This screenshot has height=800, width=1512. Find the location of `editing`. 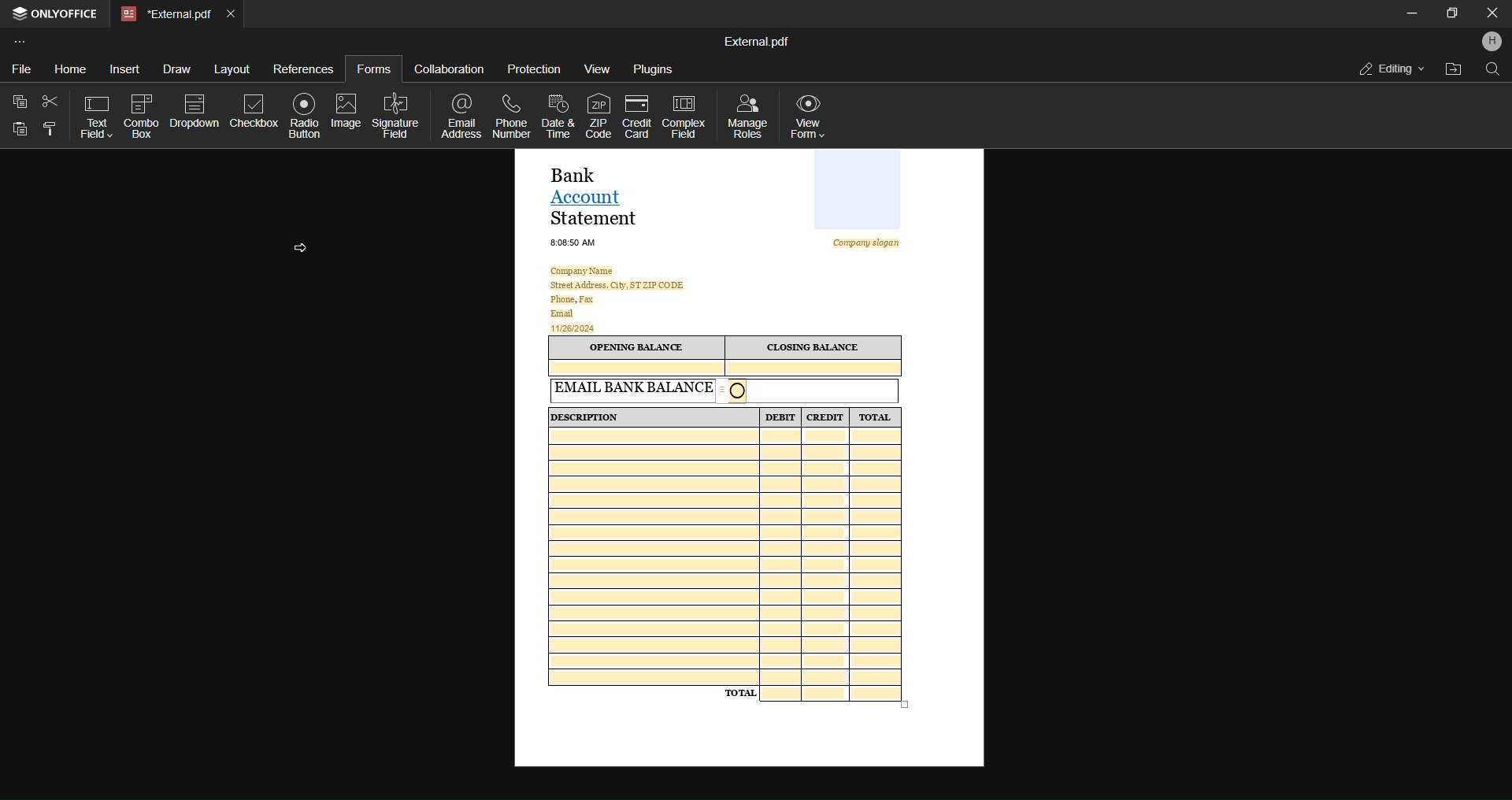

editing is located at coordinates (1385, 69).